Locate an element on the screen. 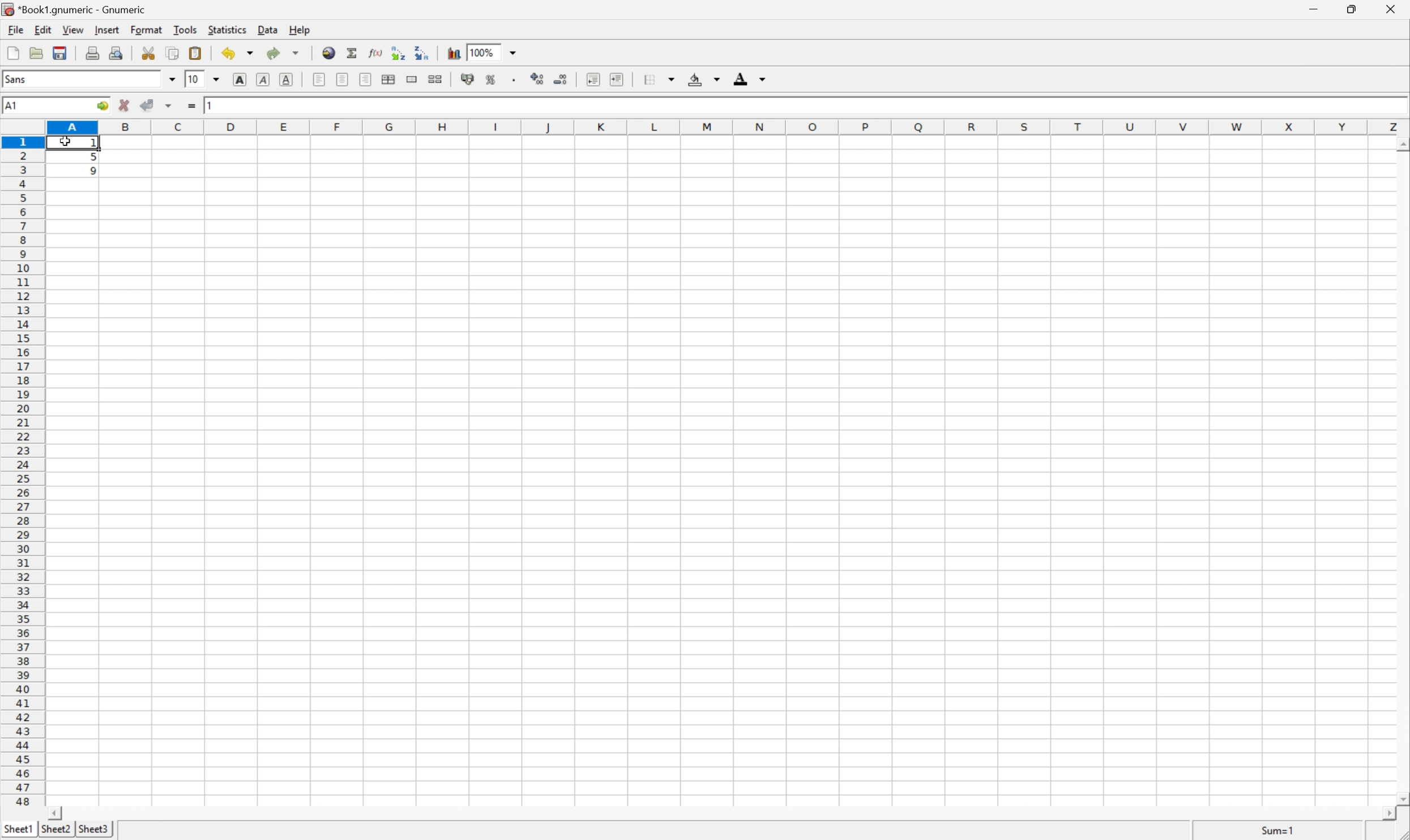  increase indent is located at coordinates (618, 79).